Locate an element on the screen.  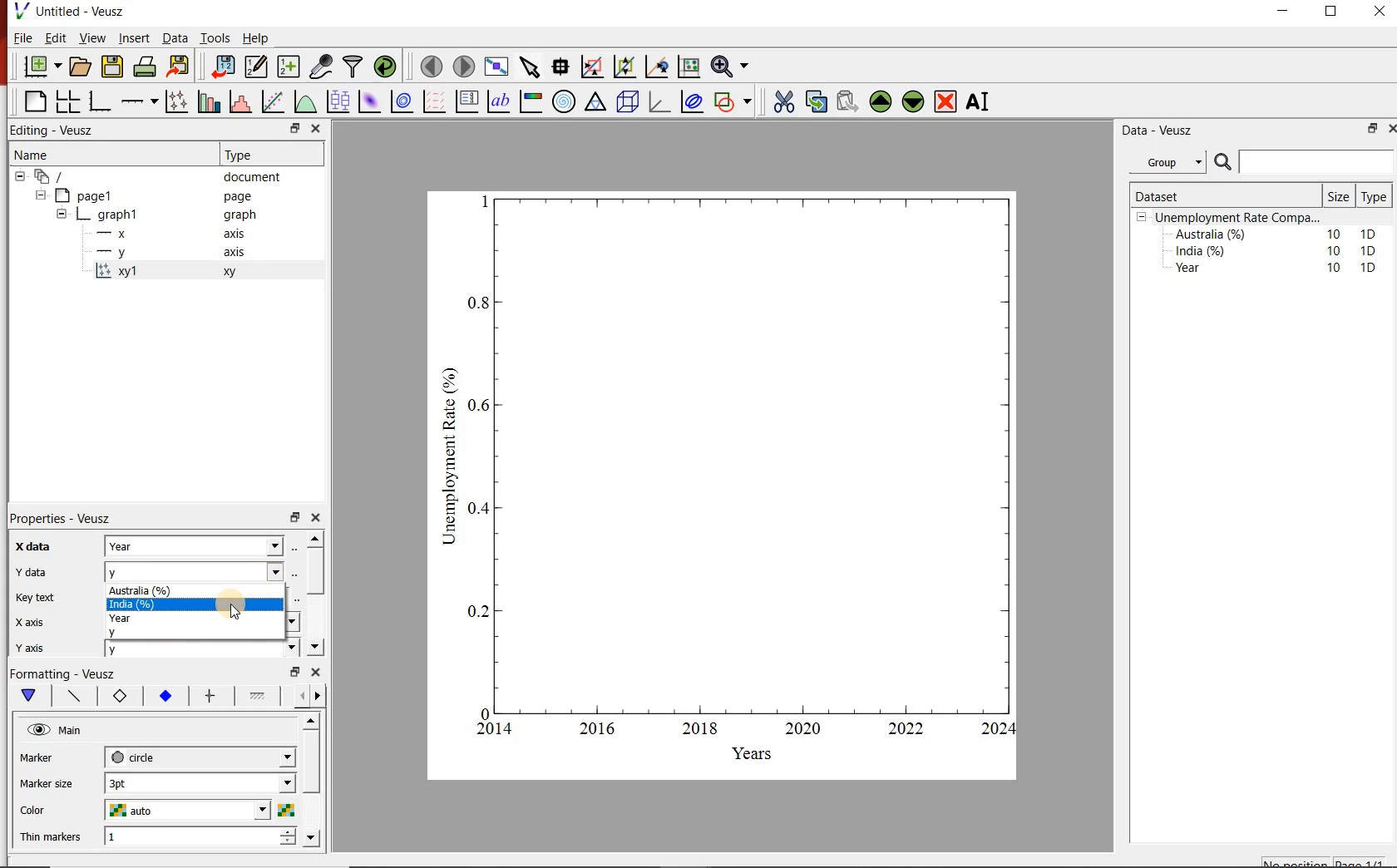
x data is located at coordinates (29, 547).